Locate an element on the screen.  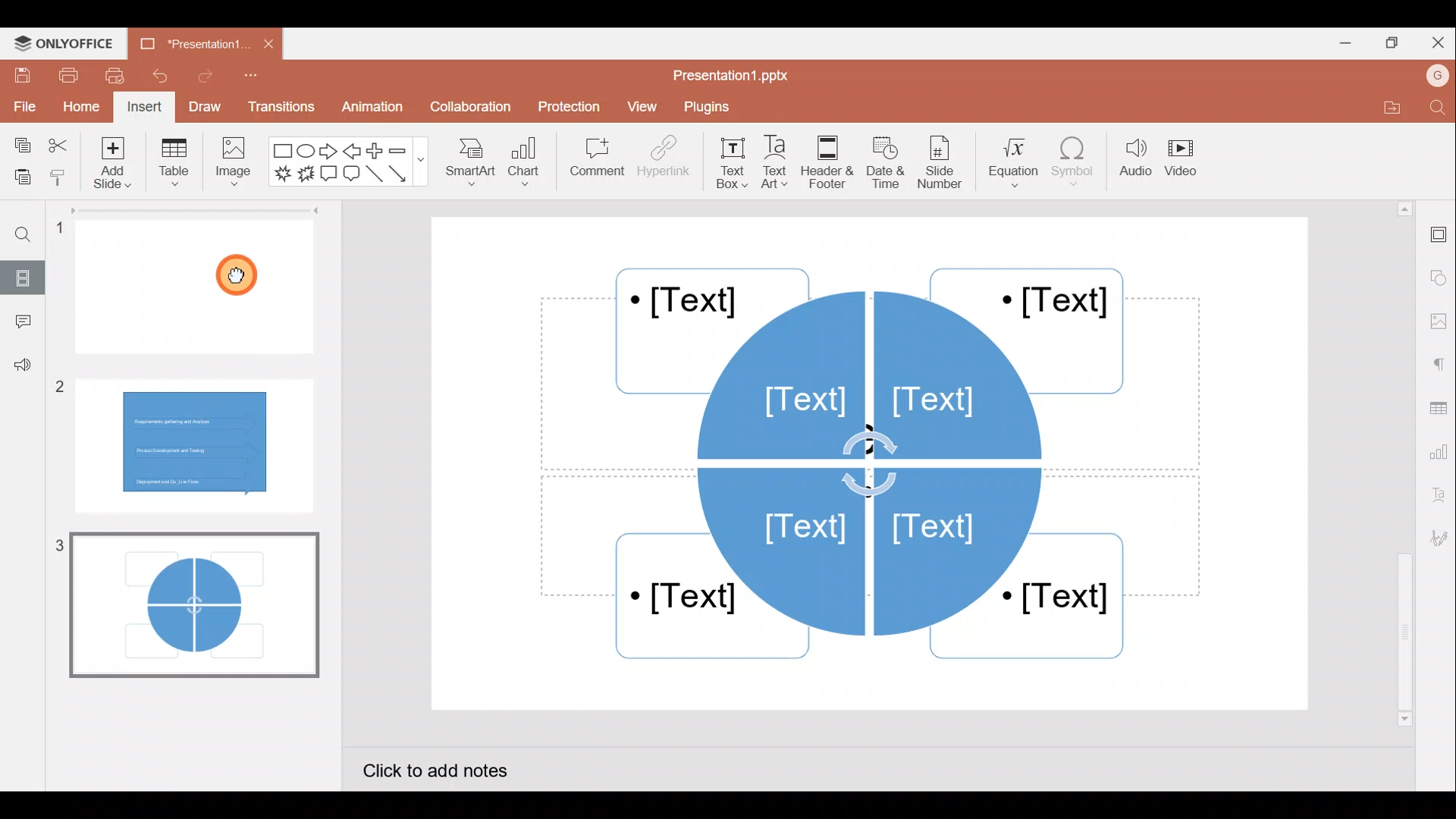
ONLYOFFICE Menu is located at coordinates (72, 44).